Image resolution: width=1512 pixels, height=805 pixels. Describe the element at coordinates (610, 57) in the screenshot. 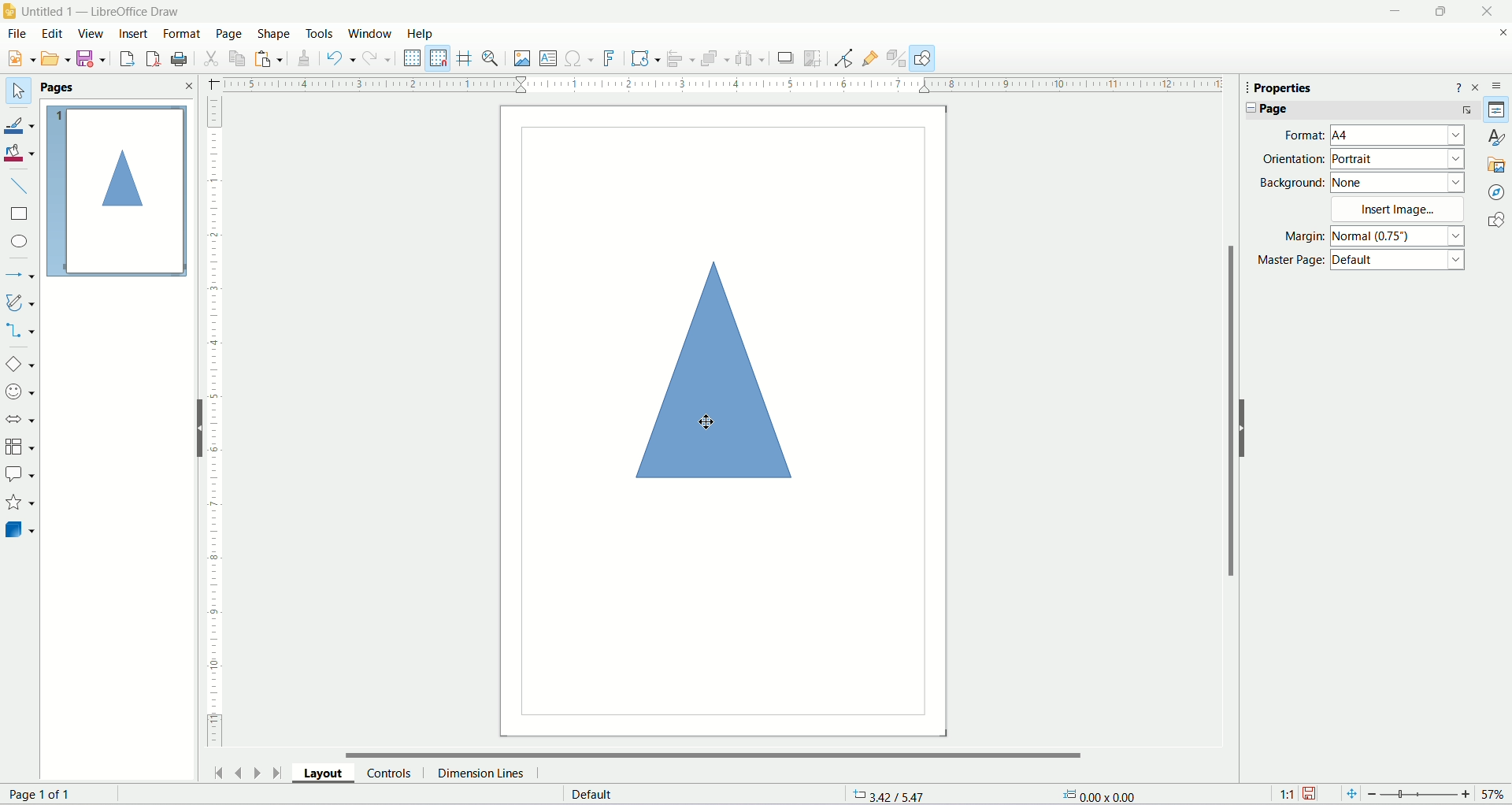

I see `Insert fontwork text` at that location.